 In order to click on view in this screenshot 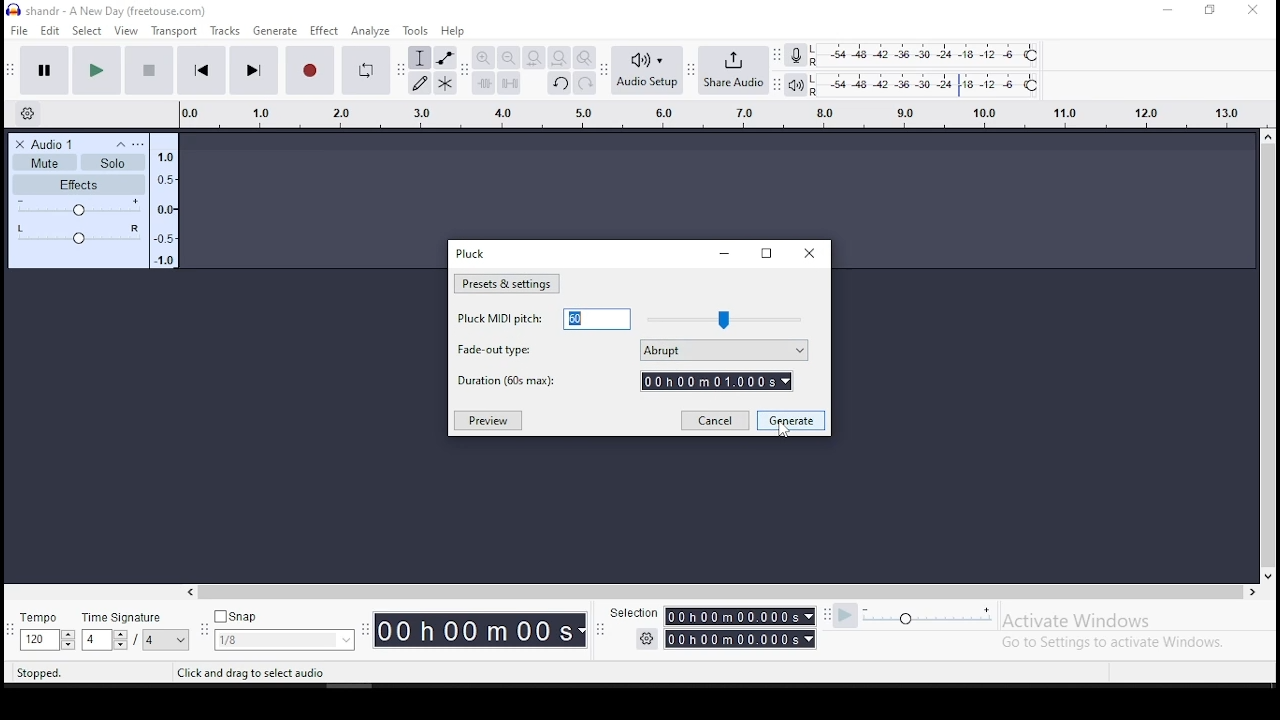, I will do `click(125, 31)`.